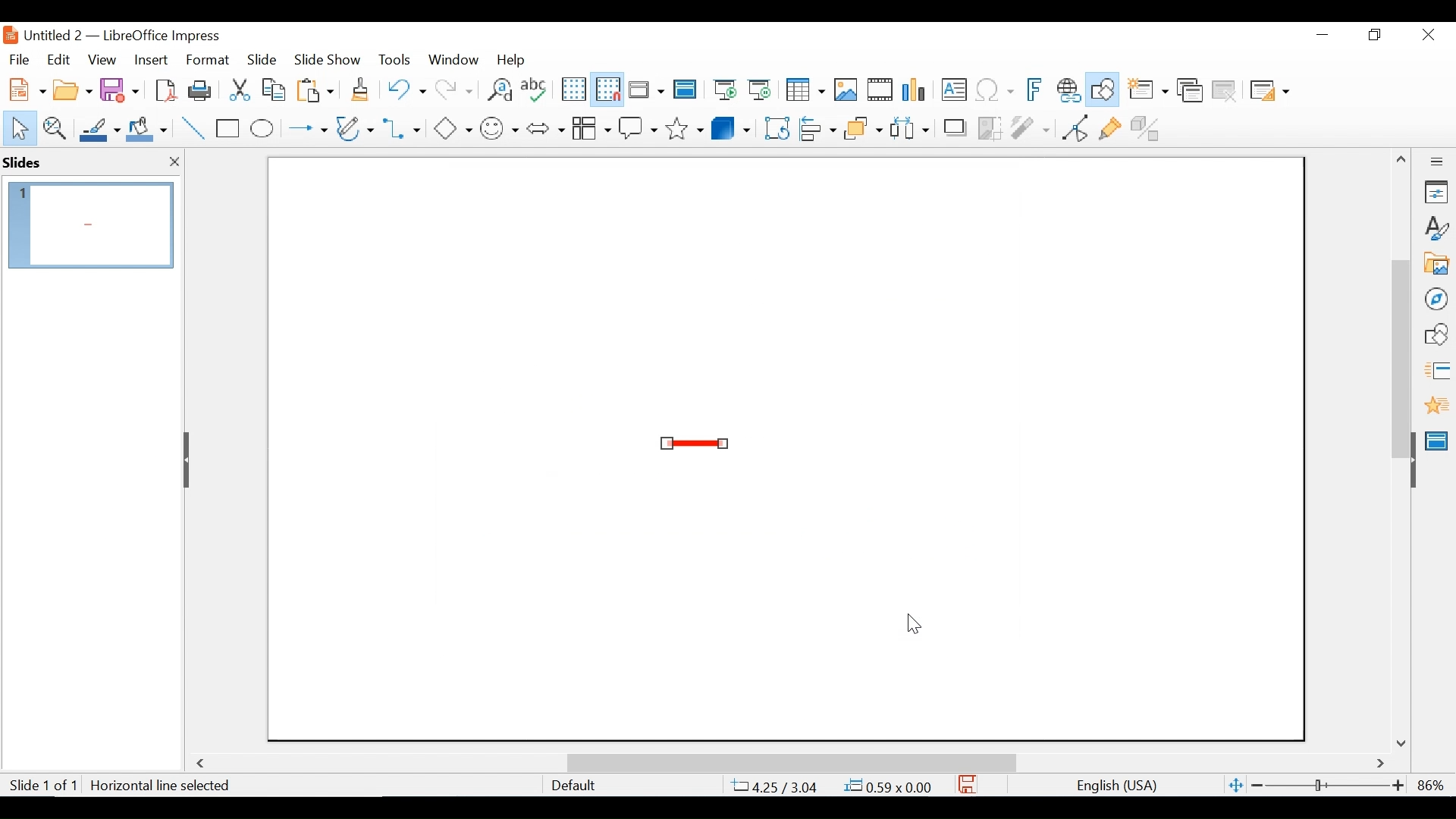  What do you see at coordinates (394, 59) in the screenshot?
I see `Tools` at bounding box center [394, 59].